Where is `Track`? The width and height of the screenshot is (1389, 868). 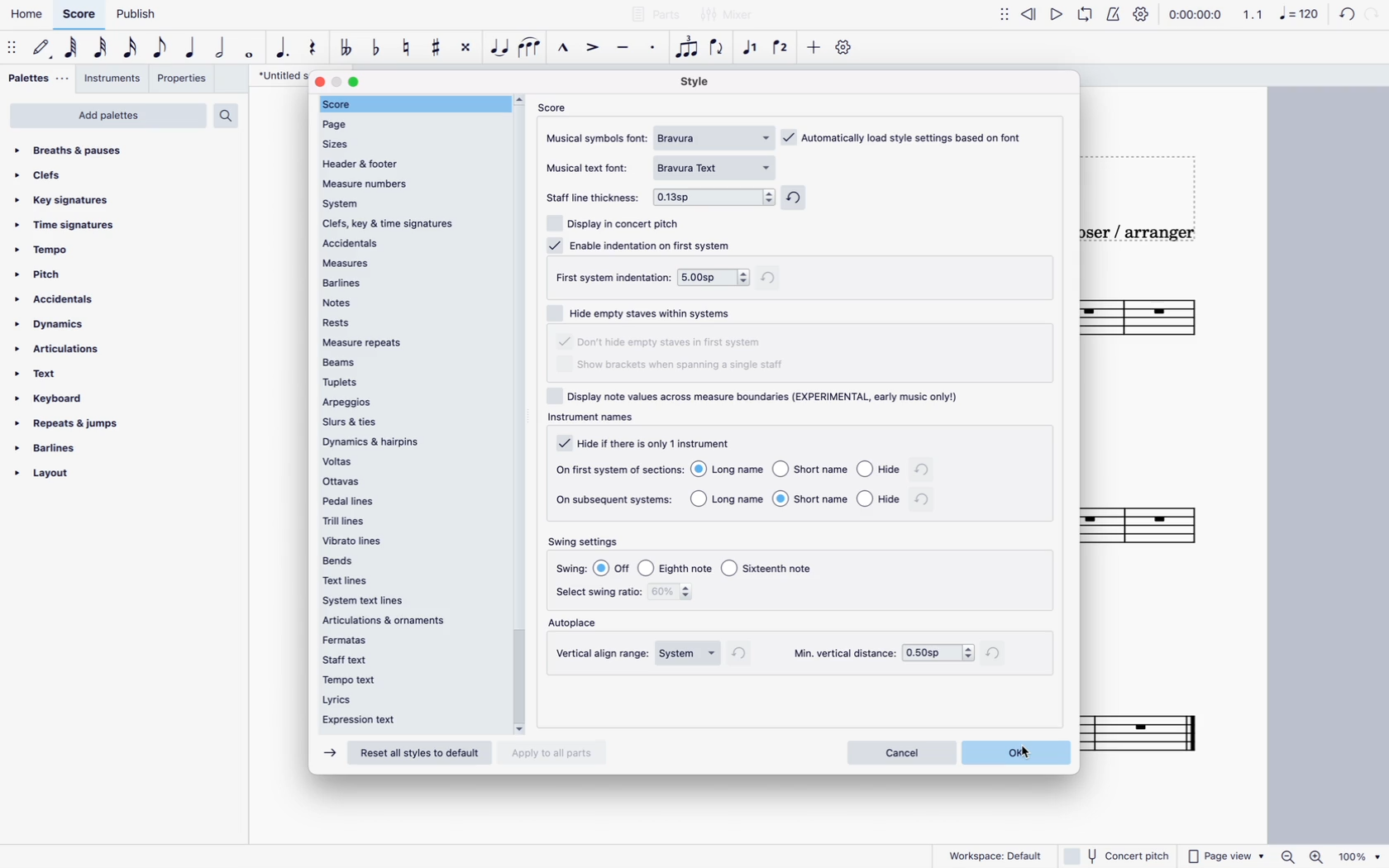 Track is located at coordinates (309, 49).